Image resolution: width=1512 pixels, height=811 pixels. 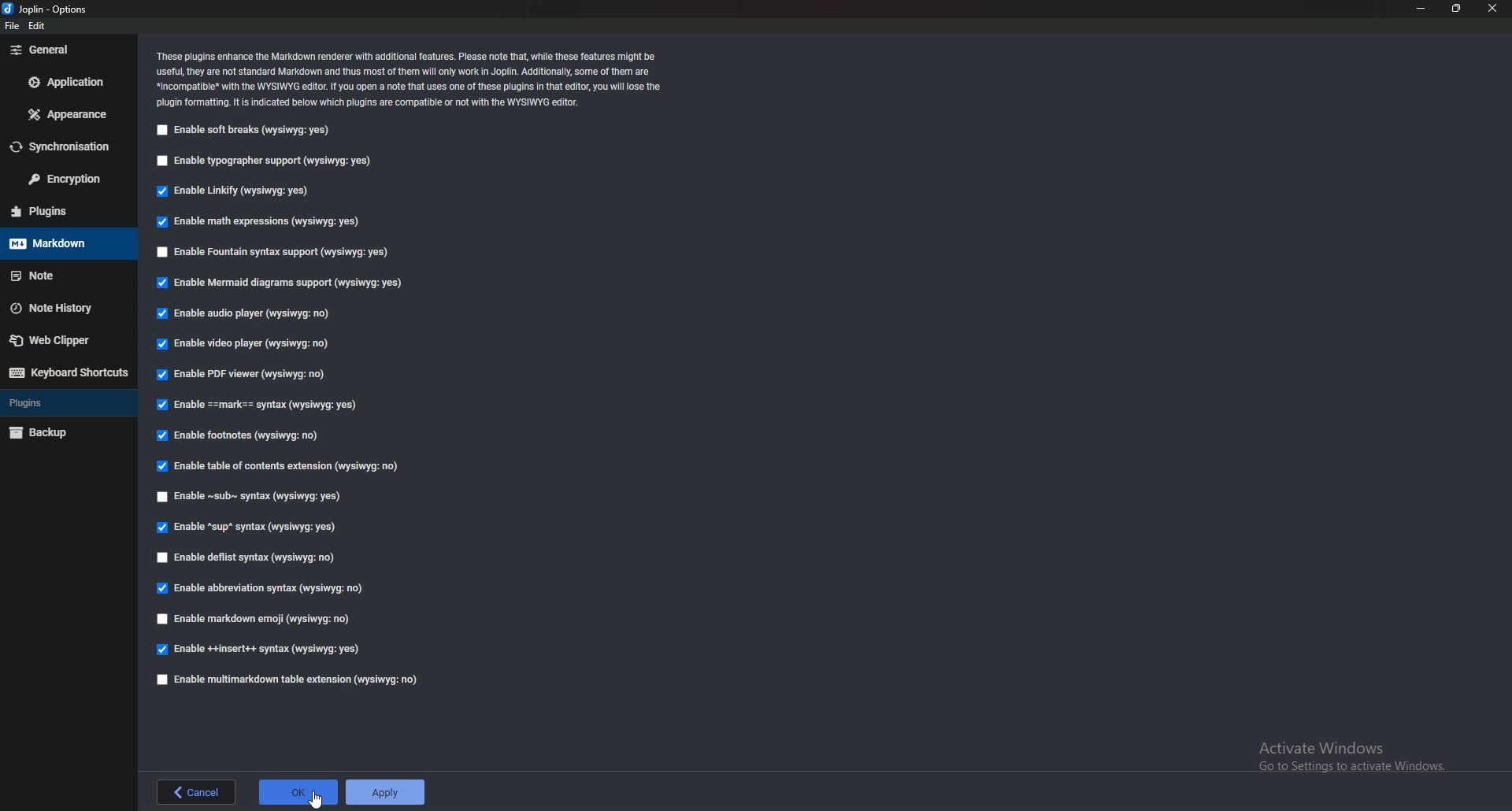 What do you see at coordinates (283, 466) in the screenshot?
I see `Enable table of contents extension (wysiwyg: no)` at bounding box center [283, 466].